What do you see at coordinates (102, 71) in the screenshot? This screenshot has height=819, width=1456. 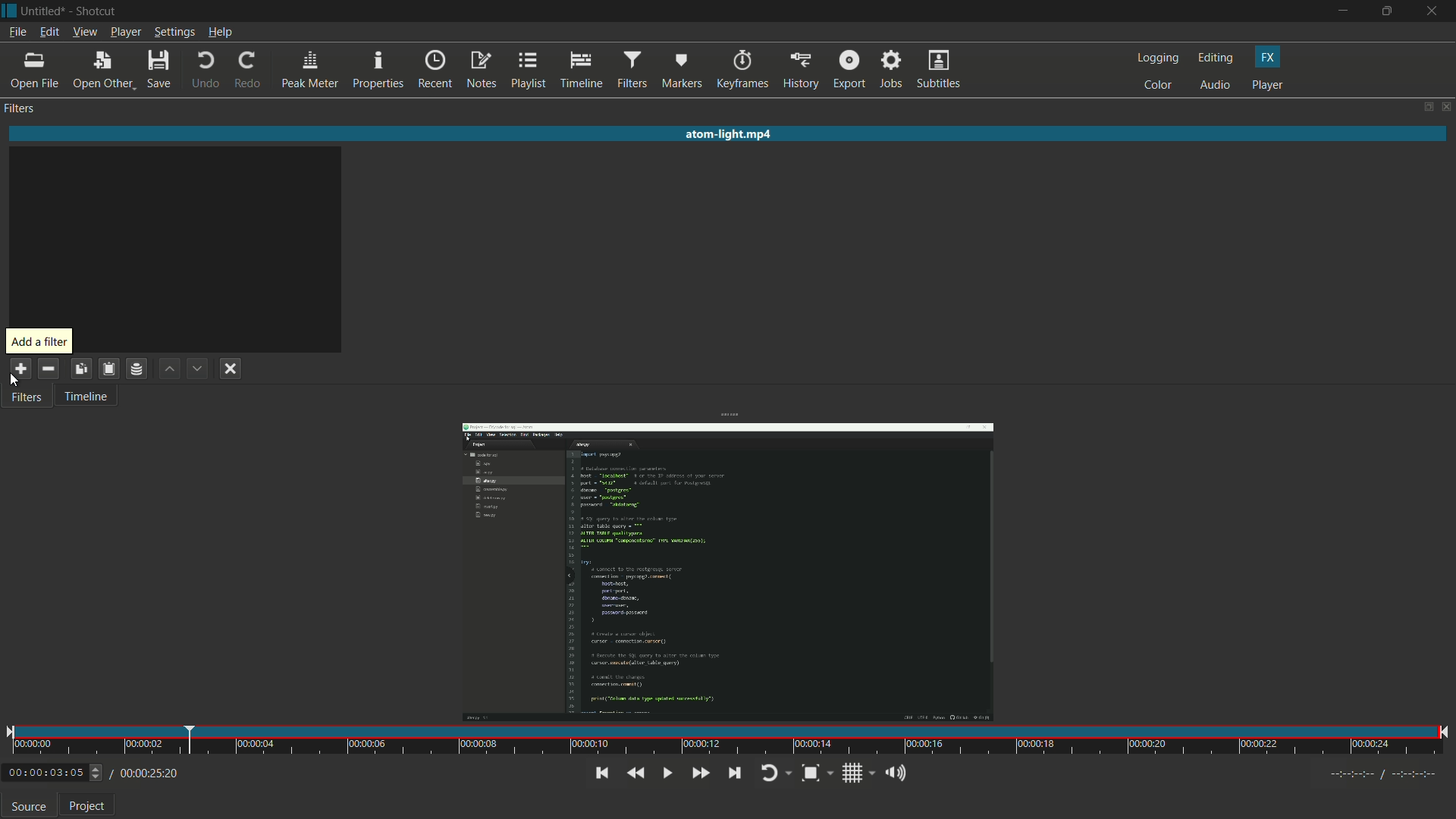 I see `open other` at bounding box center [102, 71].